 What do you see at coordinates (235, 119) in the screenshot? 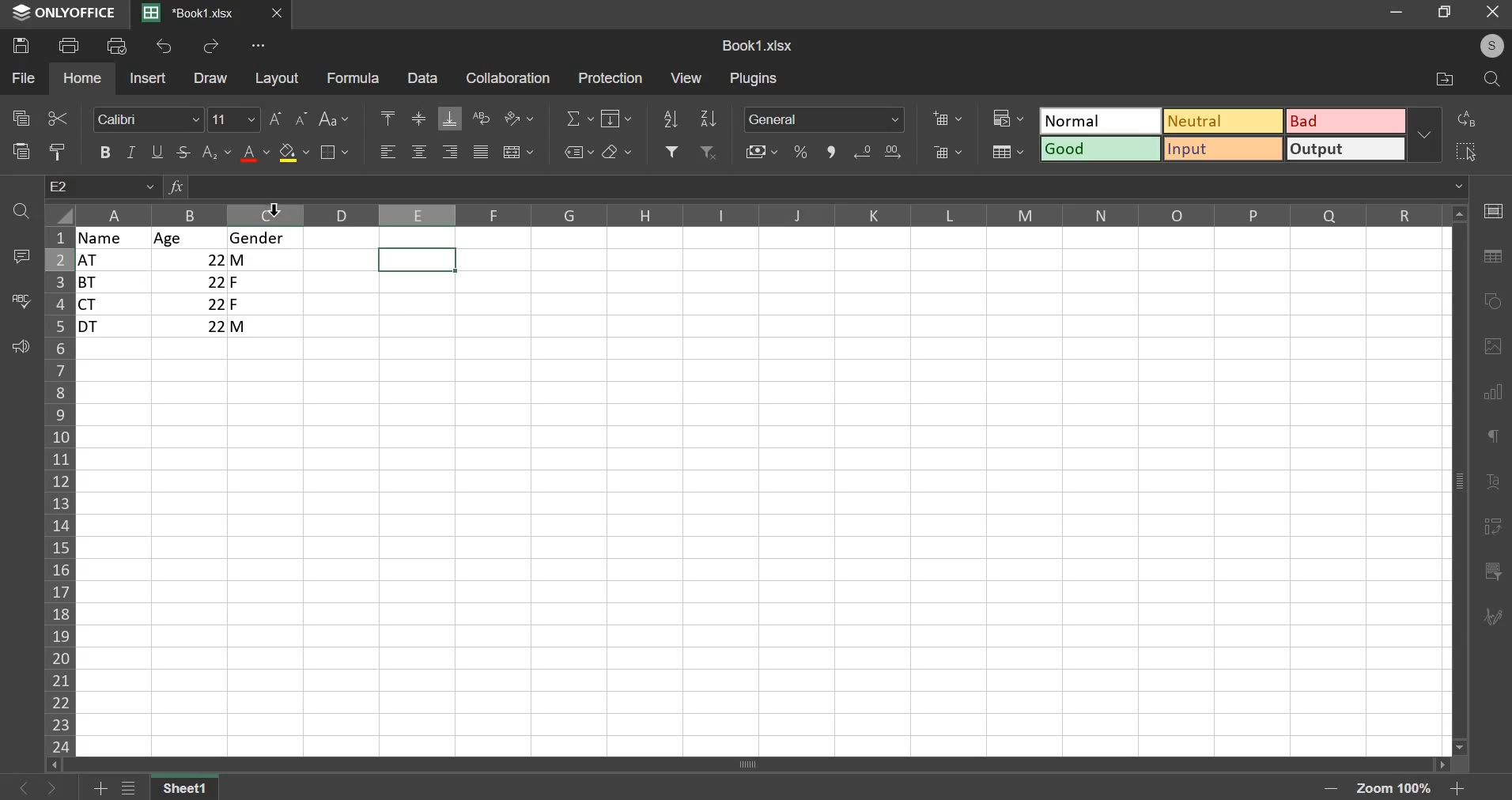
I see `font size` at bounding box center [235, 119].